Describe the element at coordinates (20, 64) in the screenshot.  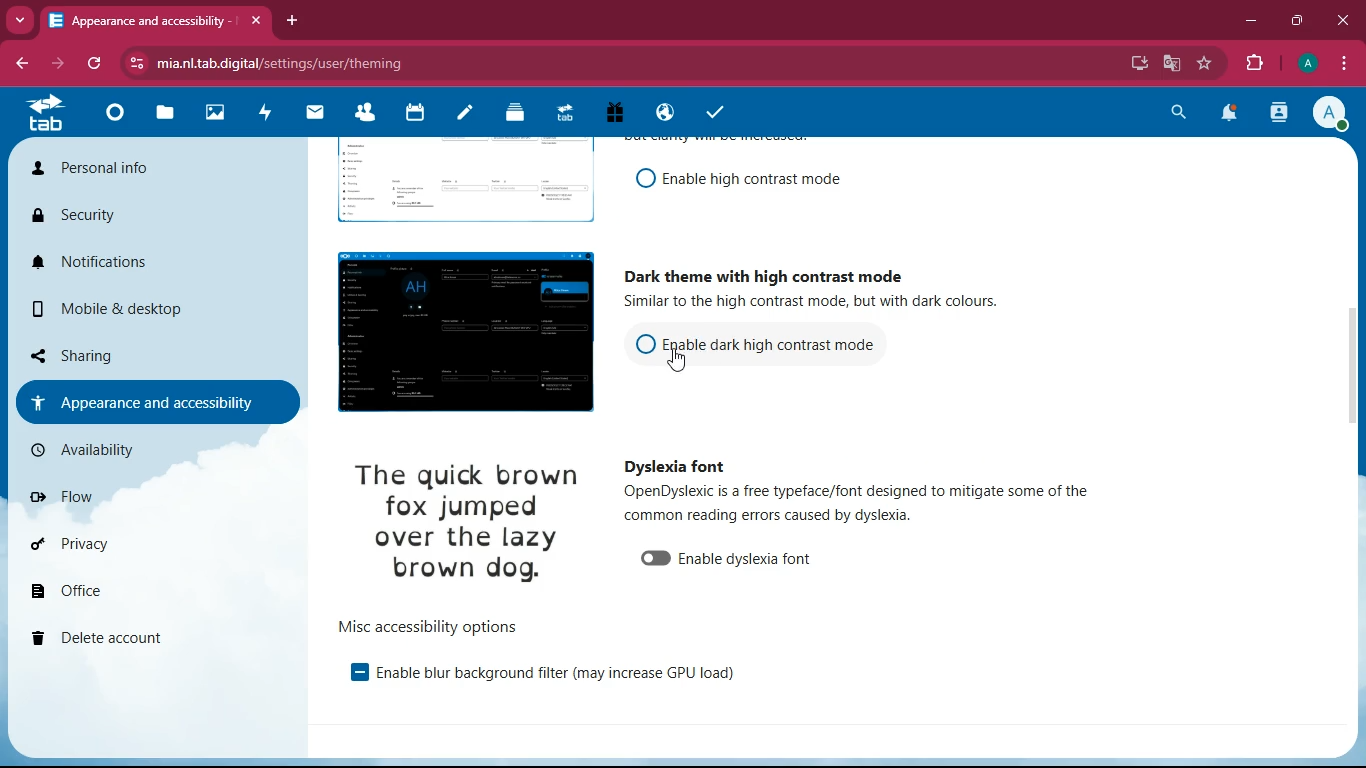
I see `back` at that location.